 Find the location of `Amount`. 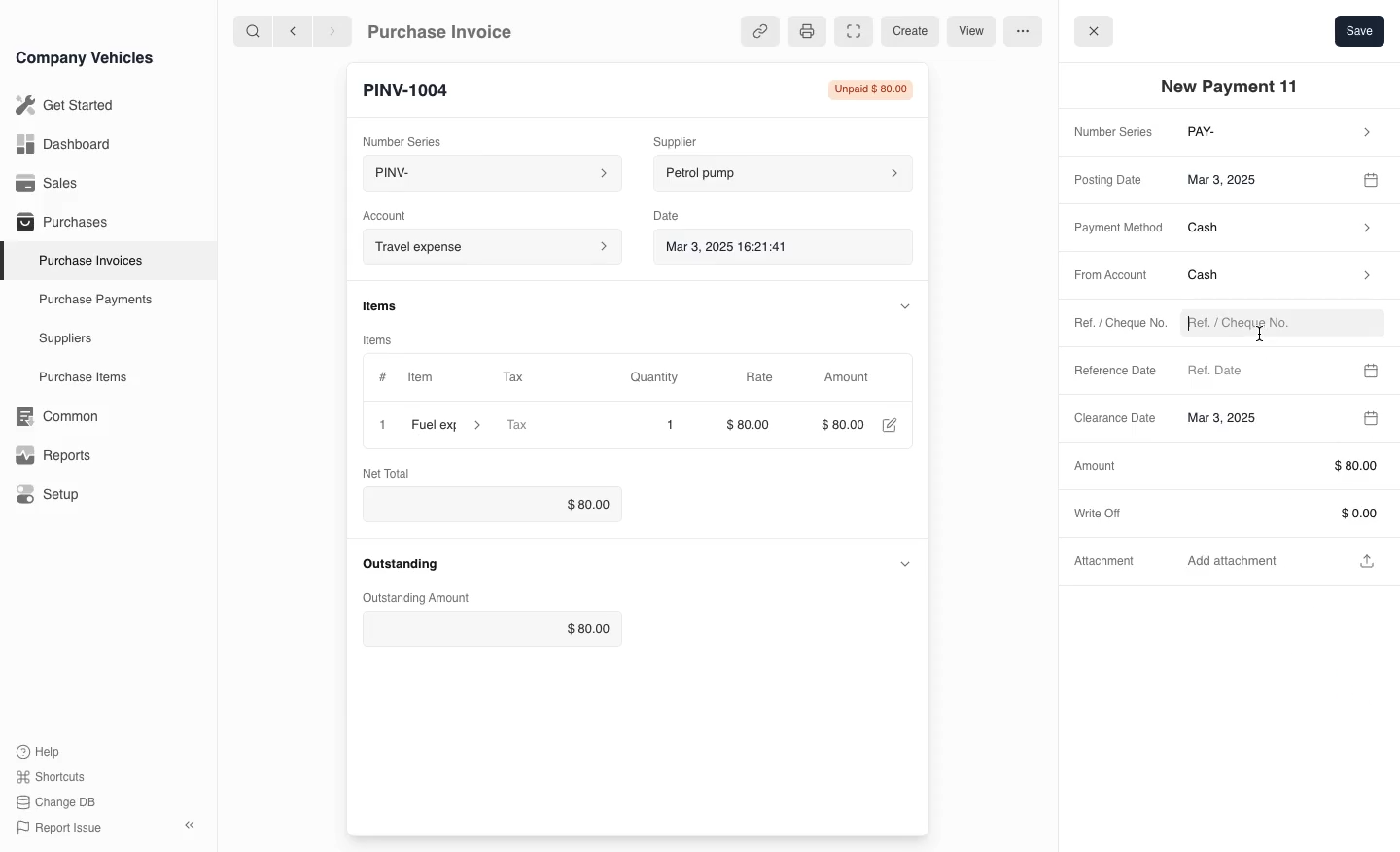

Amount is located at coordinates (1094, 465).